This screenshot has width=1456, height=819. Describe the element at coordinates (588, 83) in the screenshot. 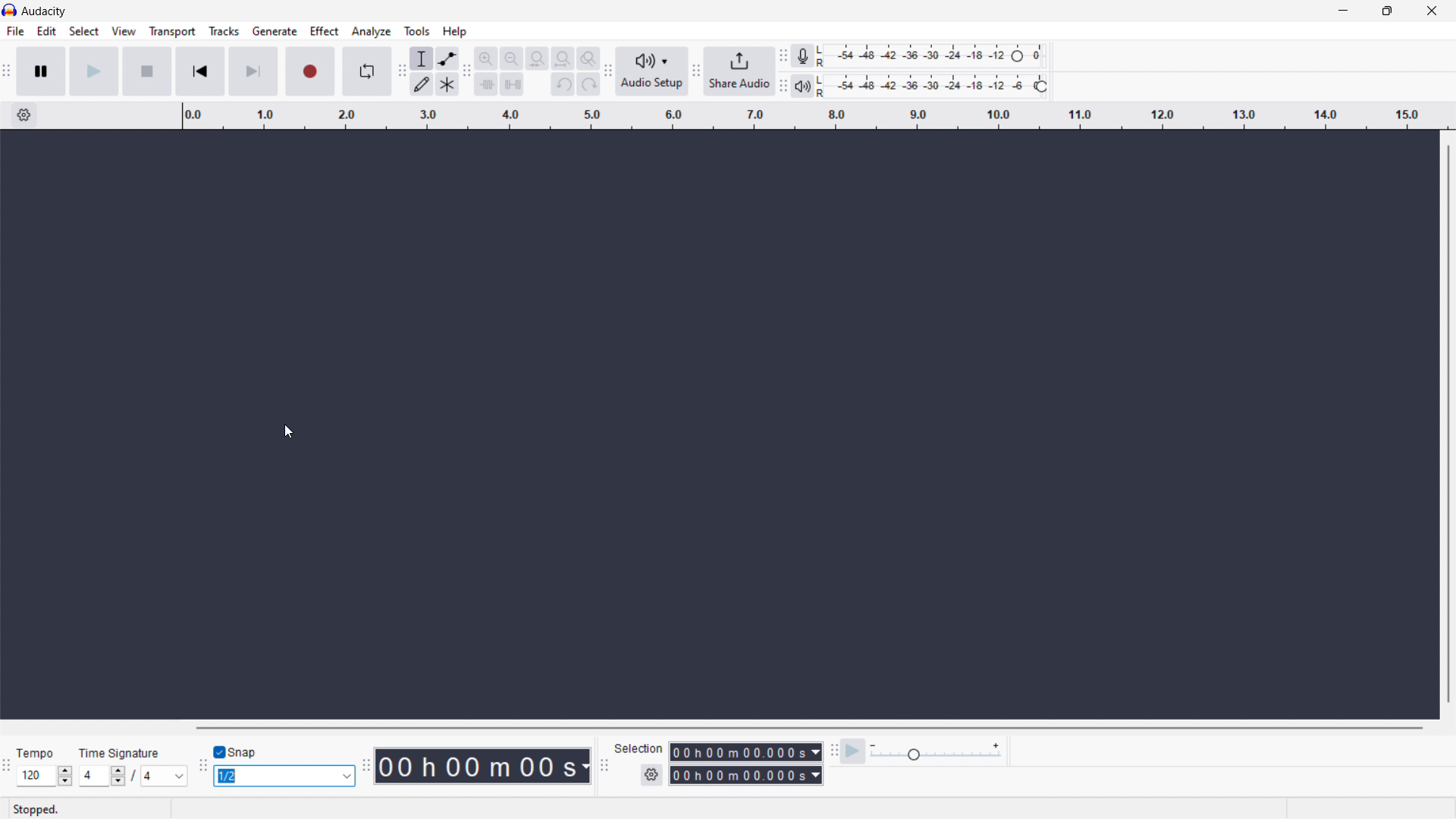

I see `redo` at that location.